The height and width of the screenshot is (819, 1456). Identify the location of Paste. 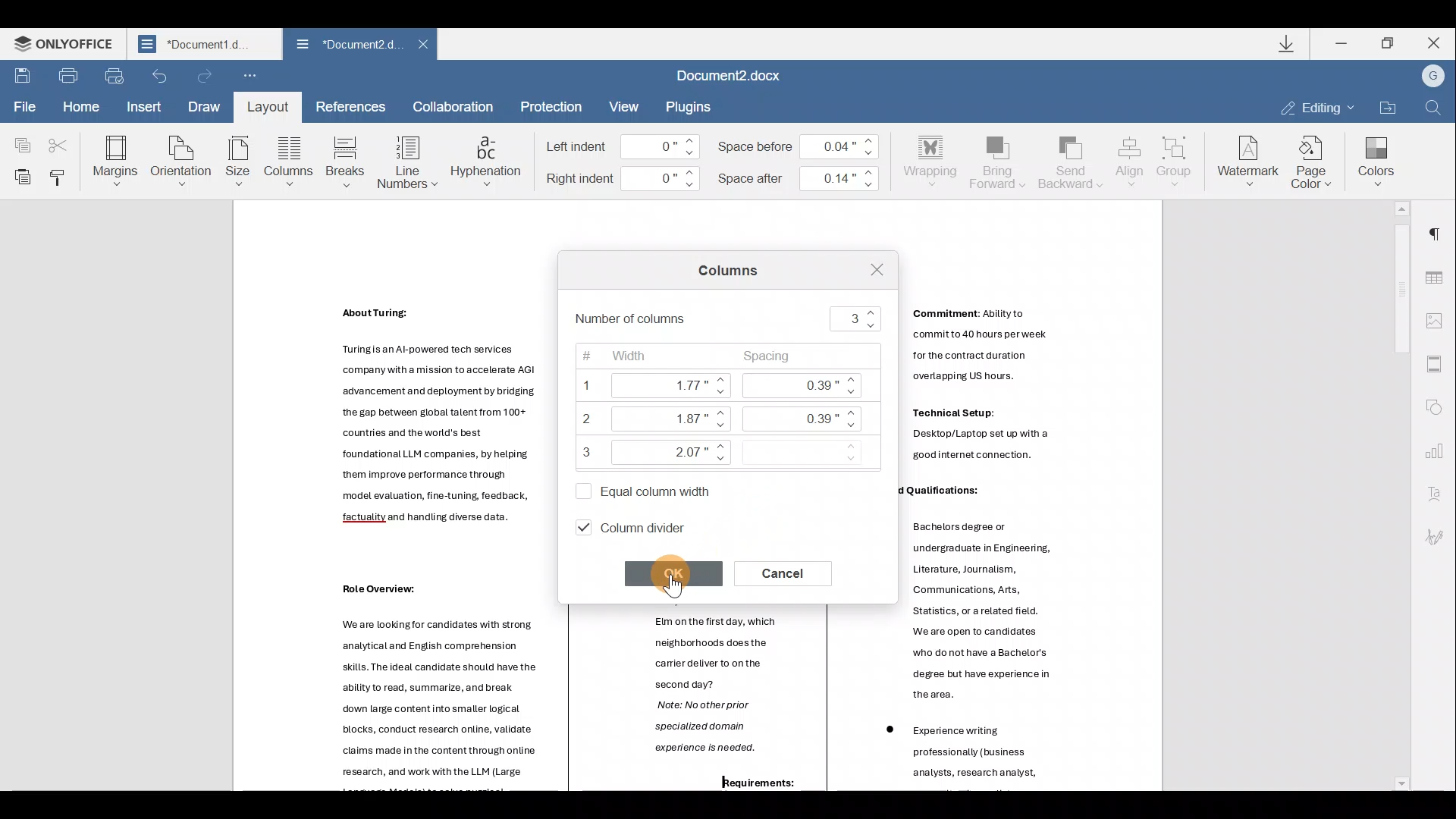
(19, 175).